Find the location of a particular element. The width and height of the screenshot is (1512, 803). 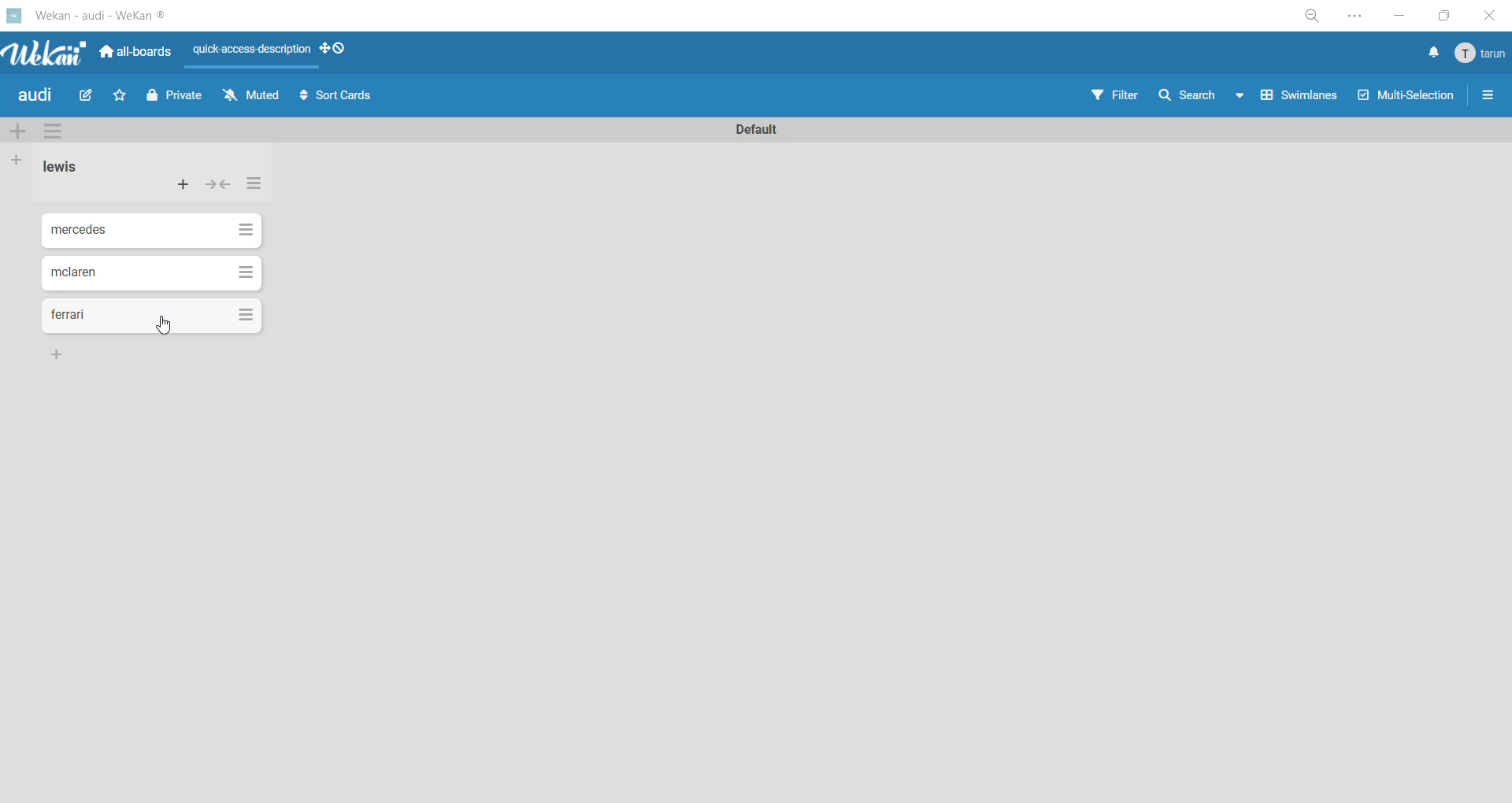

collapse is located at coordinates (220, 186).